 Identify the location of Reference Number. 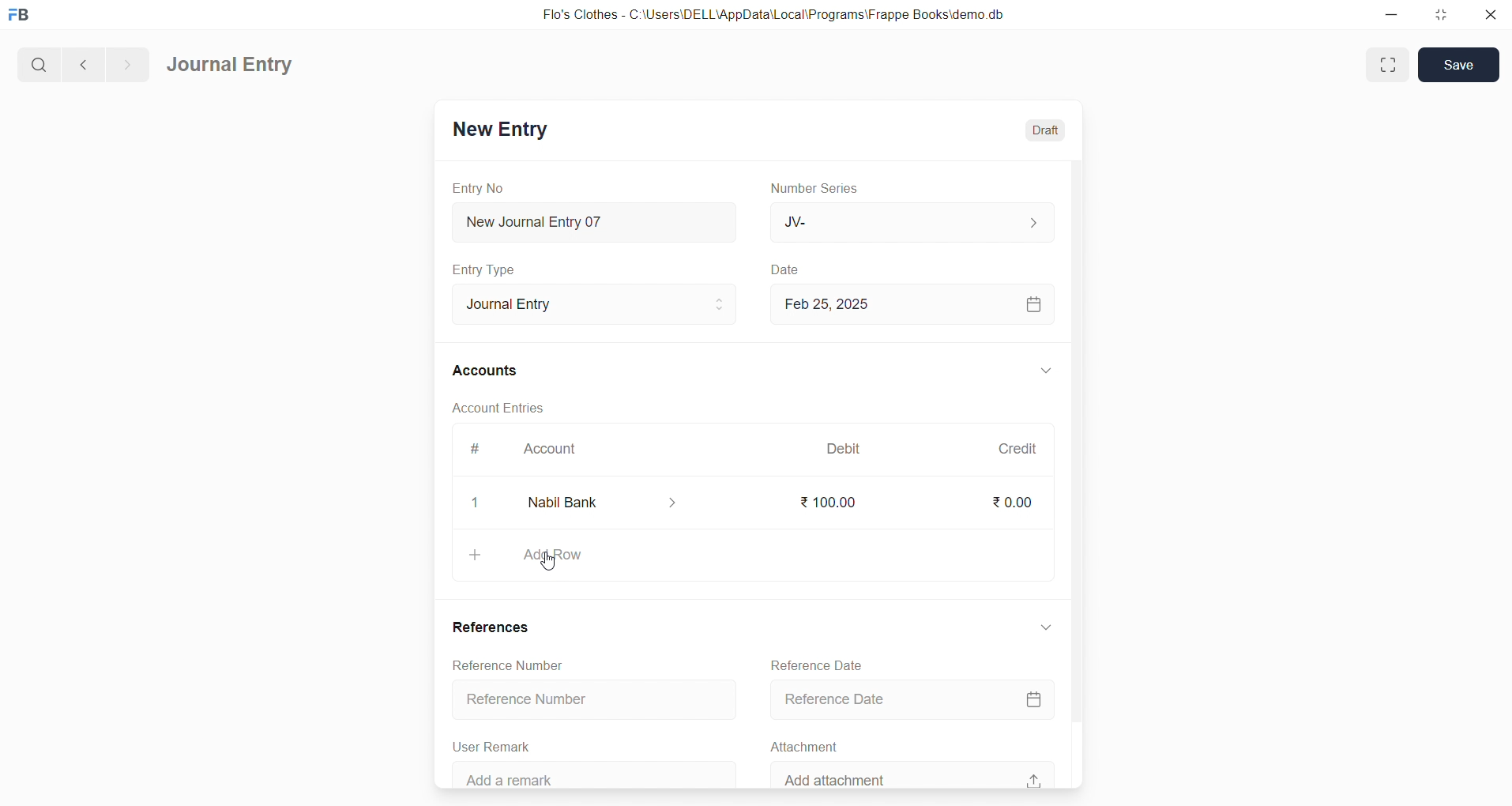
(516, 666).